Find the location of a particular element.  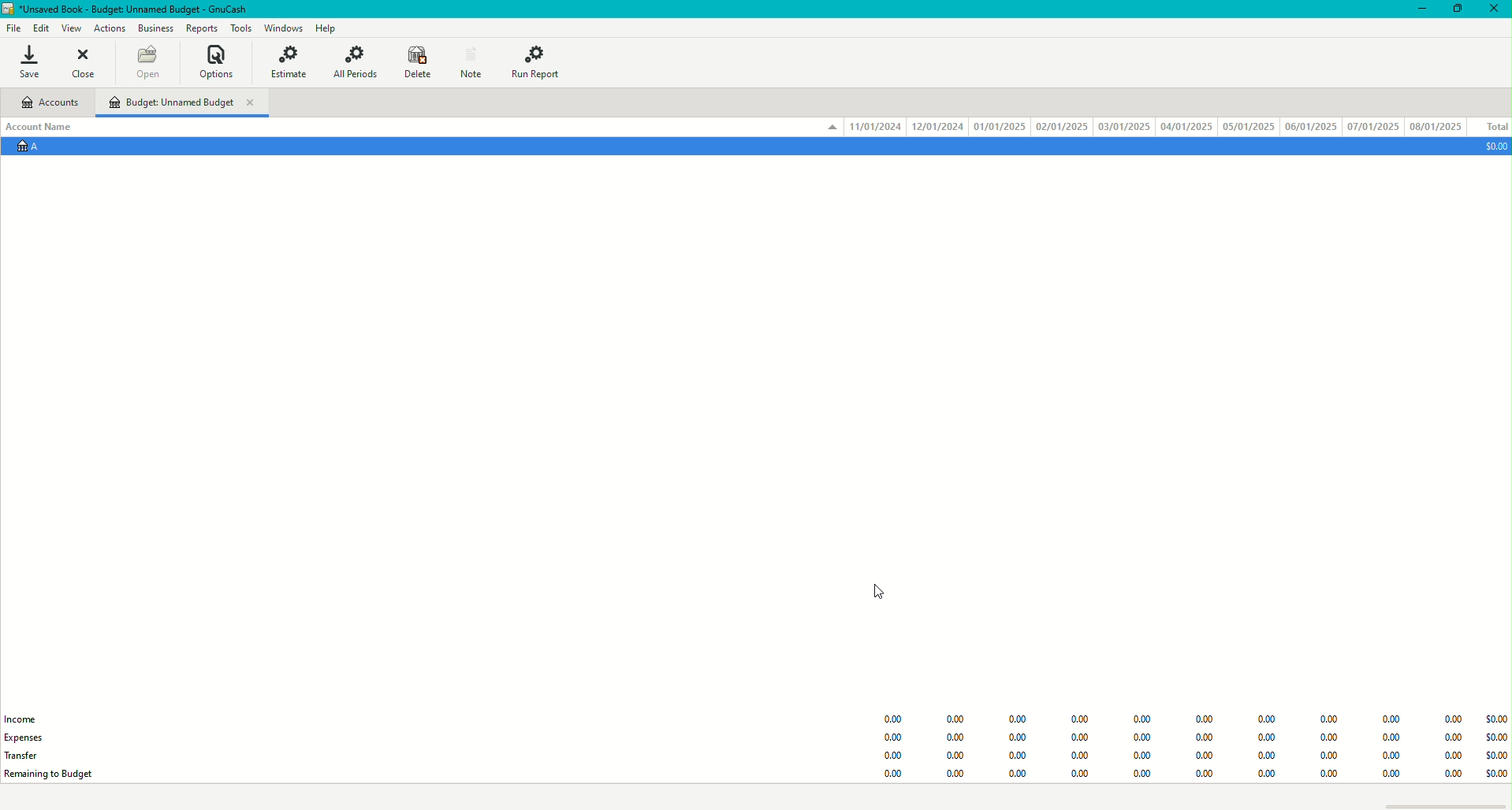

Minimize is located at coordinates (1420, 12).